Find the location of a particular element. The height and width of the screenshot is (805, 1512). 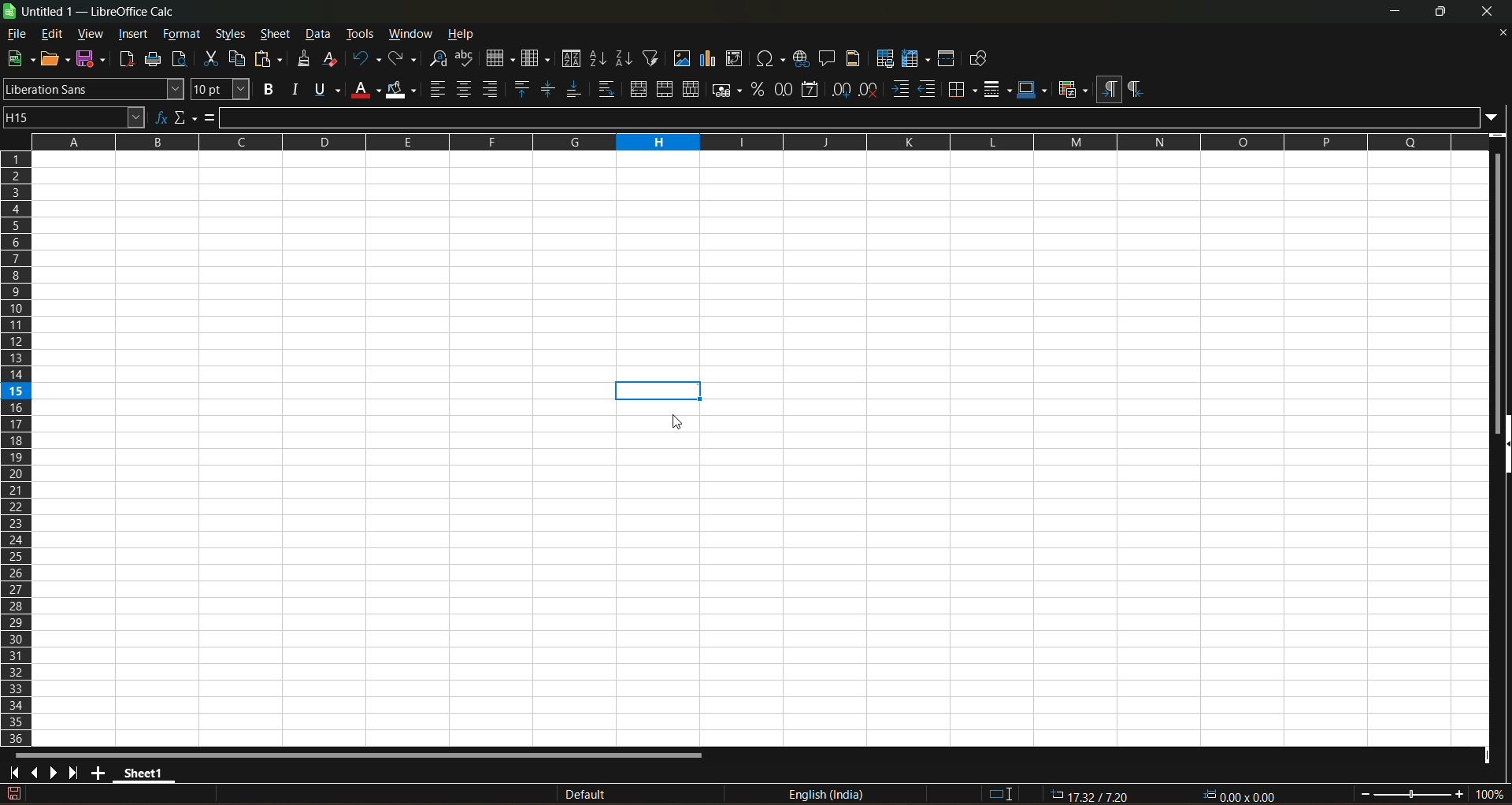

underlinr is located at coordinates (328, 89).